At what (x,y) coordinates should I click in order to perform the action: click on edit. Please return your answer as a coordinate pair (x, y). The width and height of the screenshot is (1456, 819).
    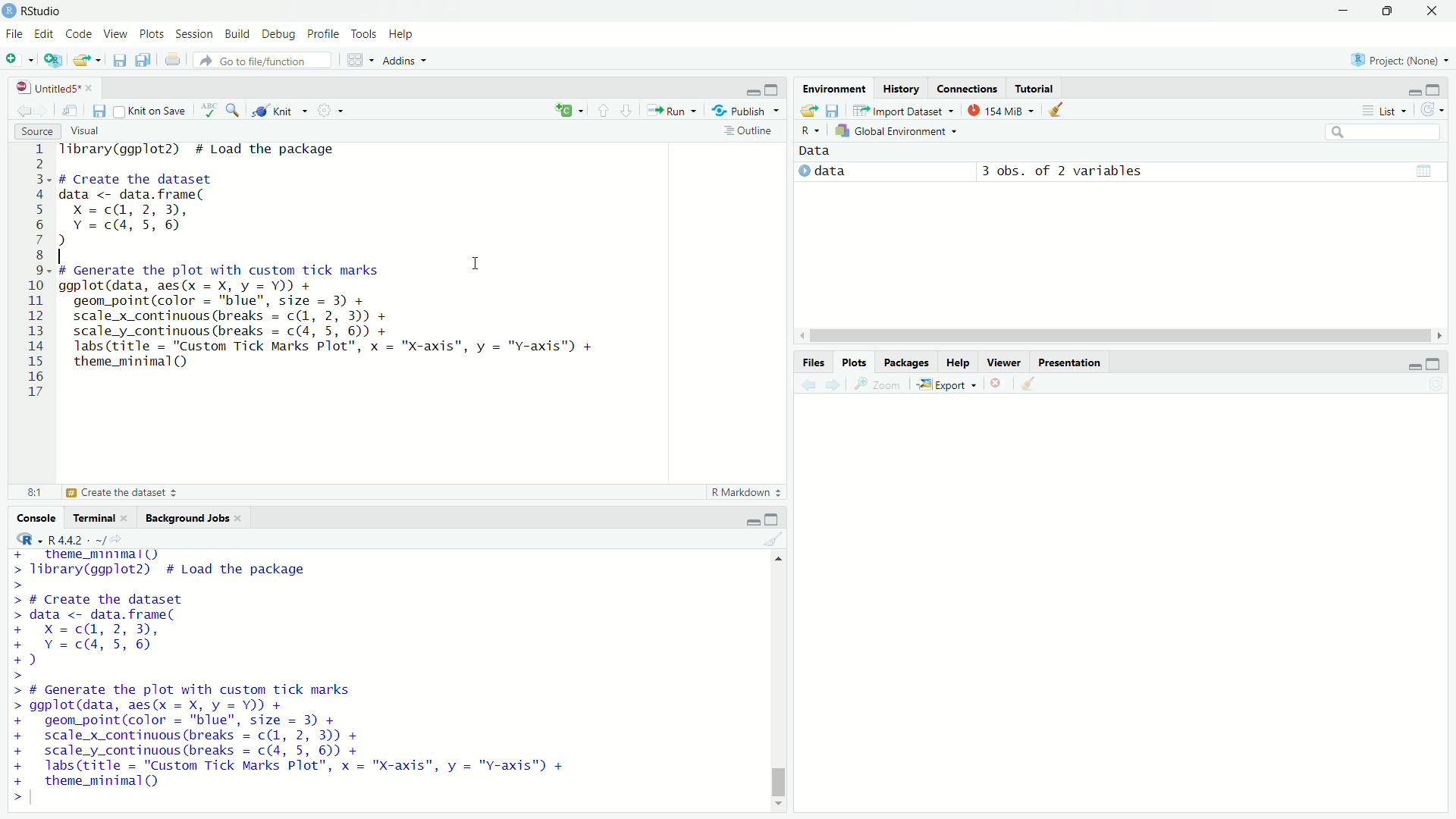
    Looking at the image, I should click on (45, 35).